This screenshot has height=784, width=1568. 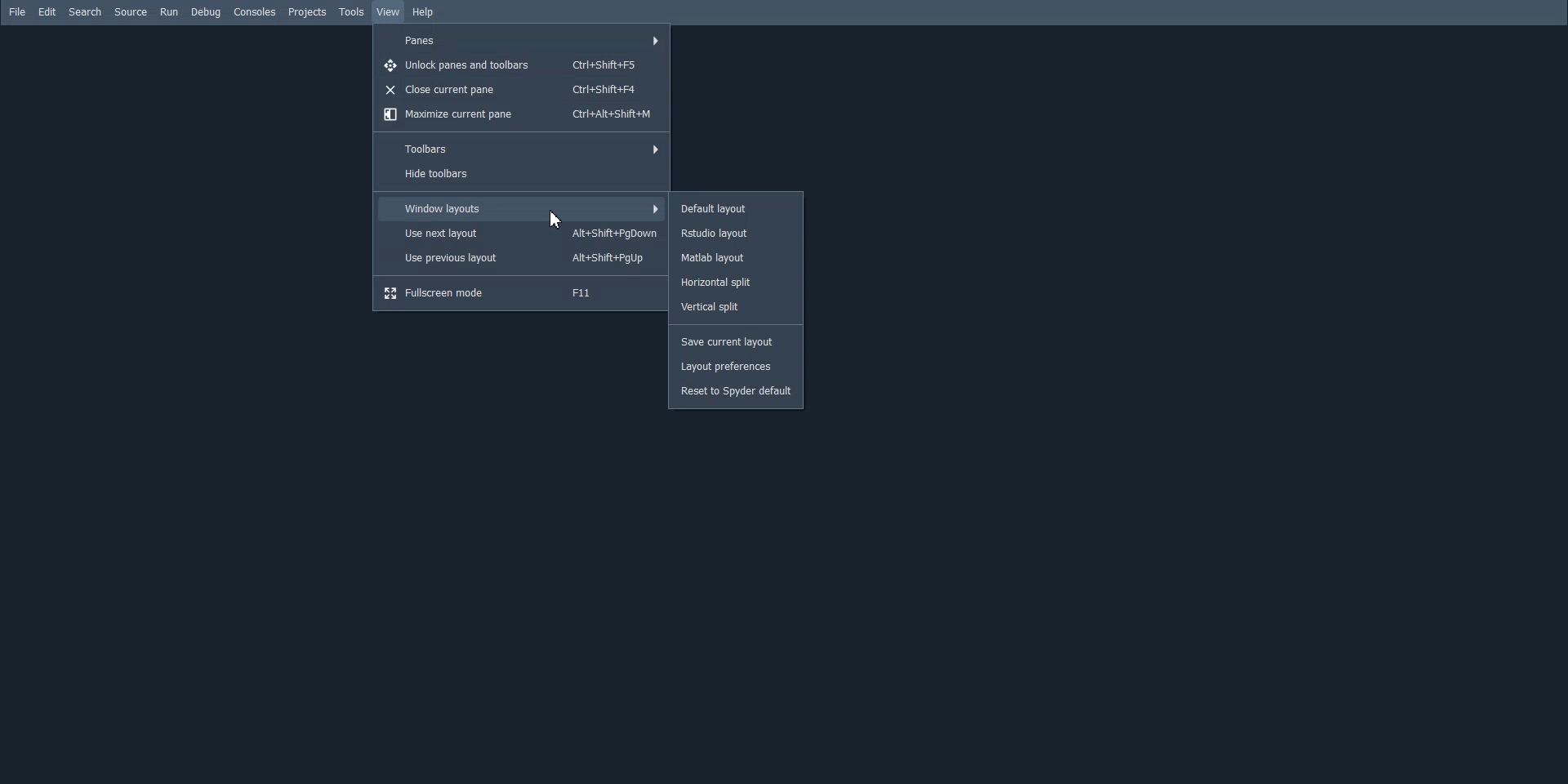 What do you see at coordinates (736, 305) in the screenshot?
I see `Vertical split` at bounding box center [736, 305].